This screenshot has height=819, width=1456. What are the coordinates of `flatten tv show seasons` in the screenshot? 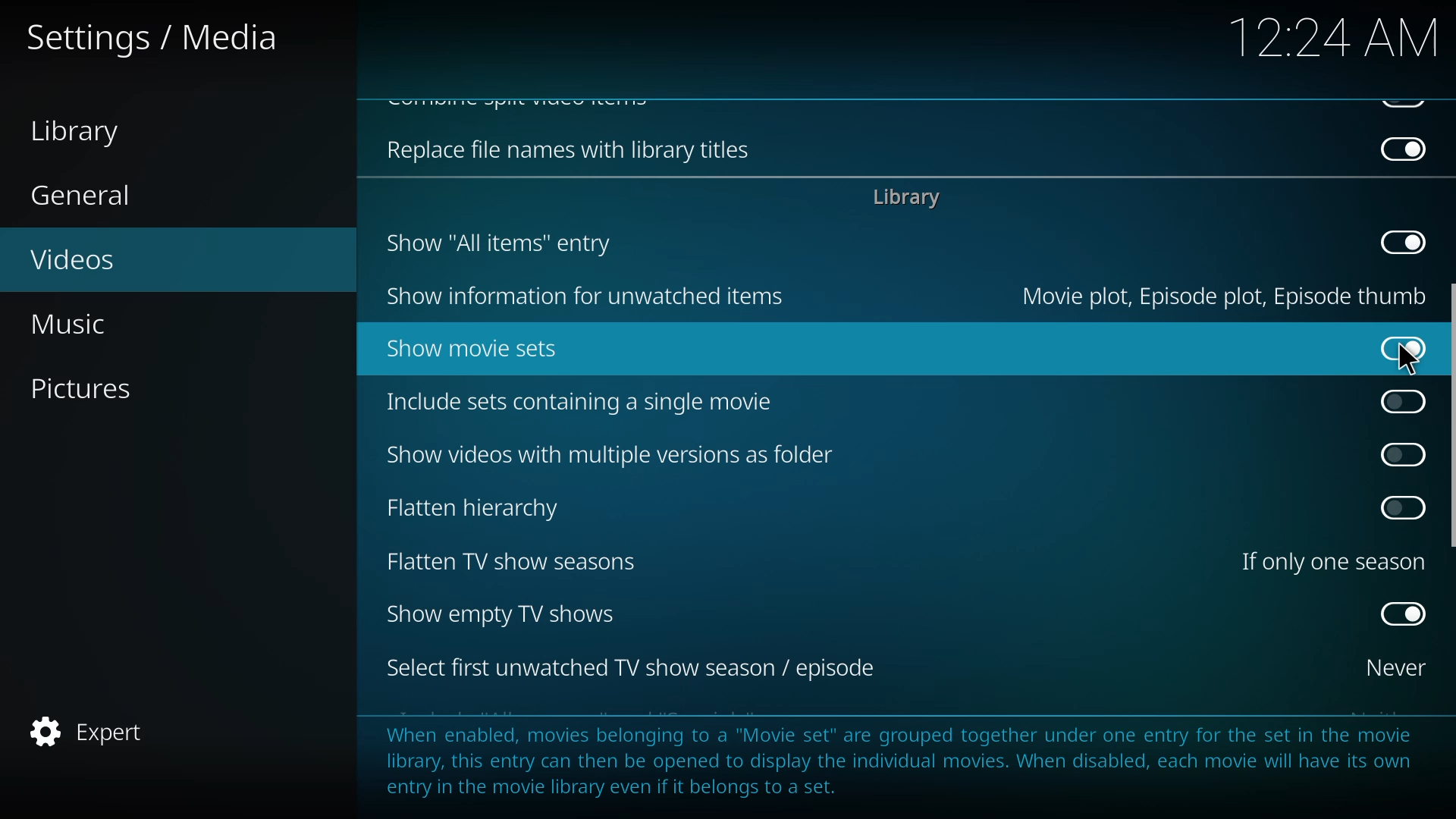 It's located at (513, 562).